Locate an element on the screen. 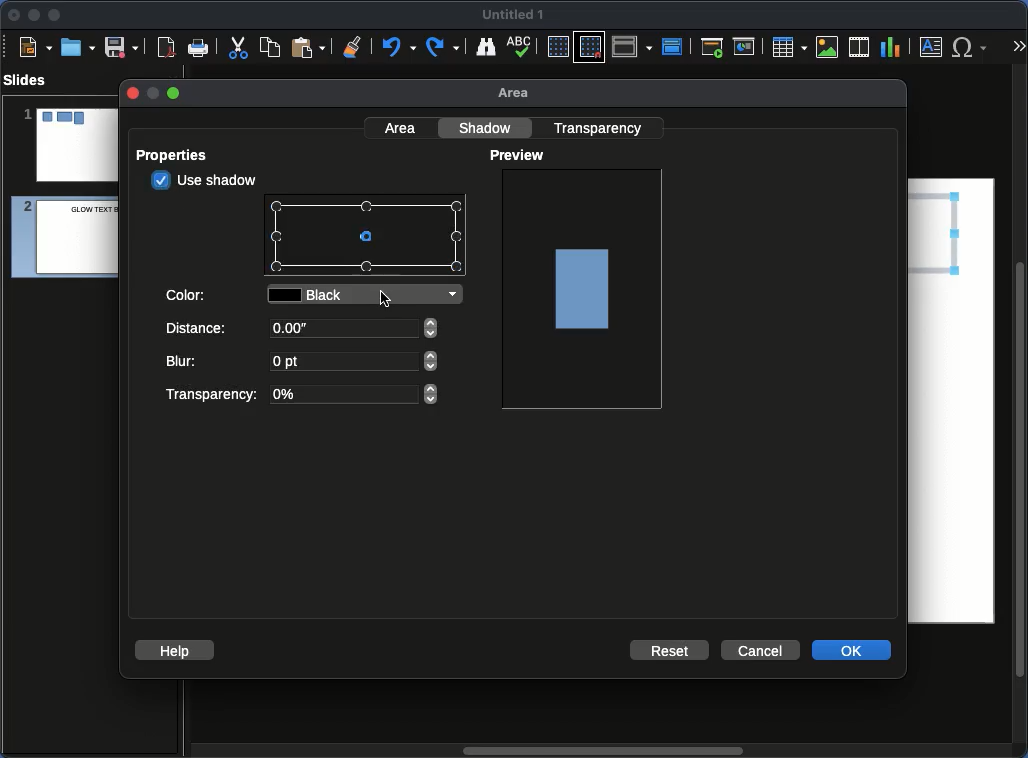  Reset is located at coordinates (671, 649).